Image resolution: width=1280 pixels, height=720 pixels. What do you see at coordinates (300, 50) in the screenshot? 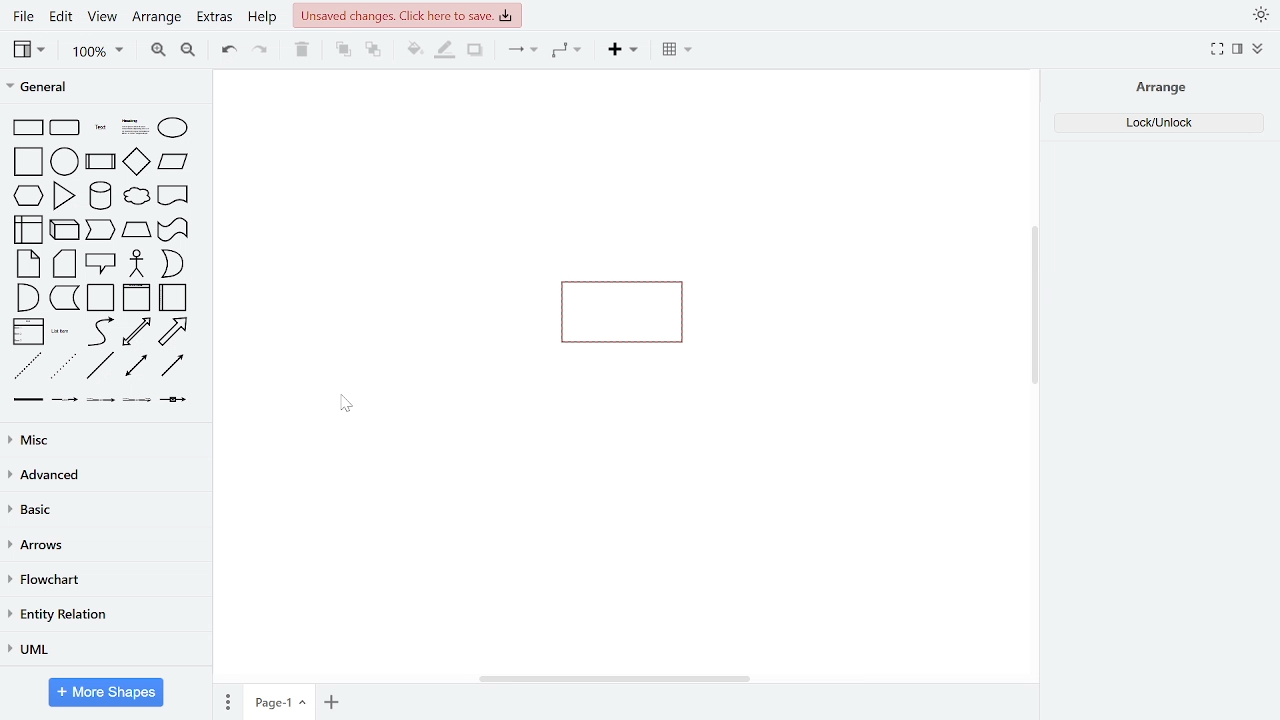
I see `delete` at bounding box center [300, 50].